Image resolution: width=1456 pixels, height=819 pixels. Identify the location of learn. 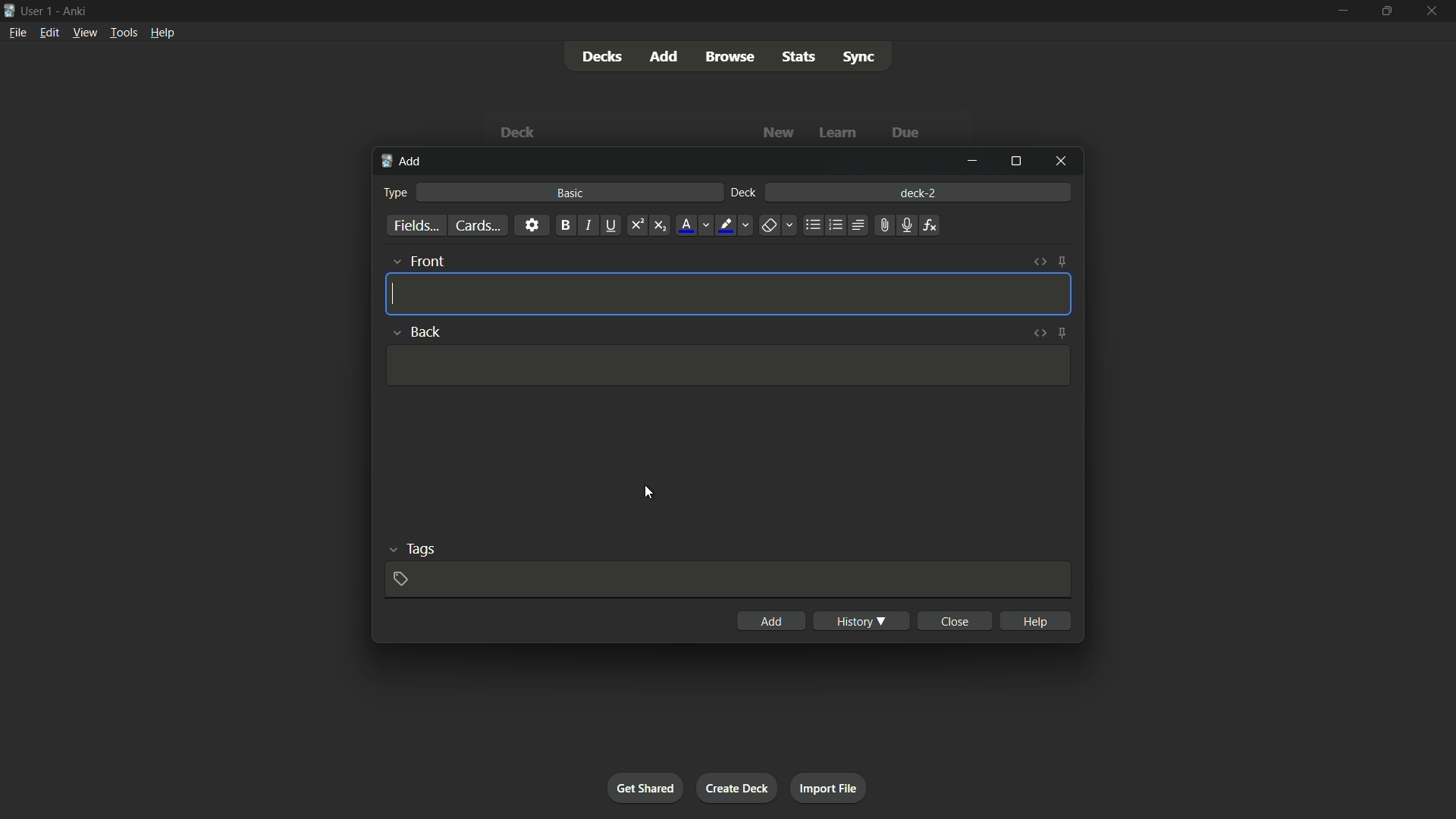
(840, 133).